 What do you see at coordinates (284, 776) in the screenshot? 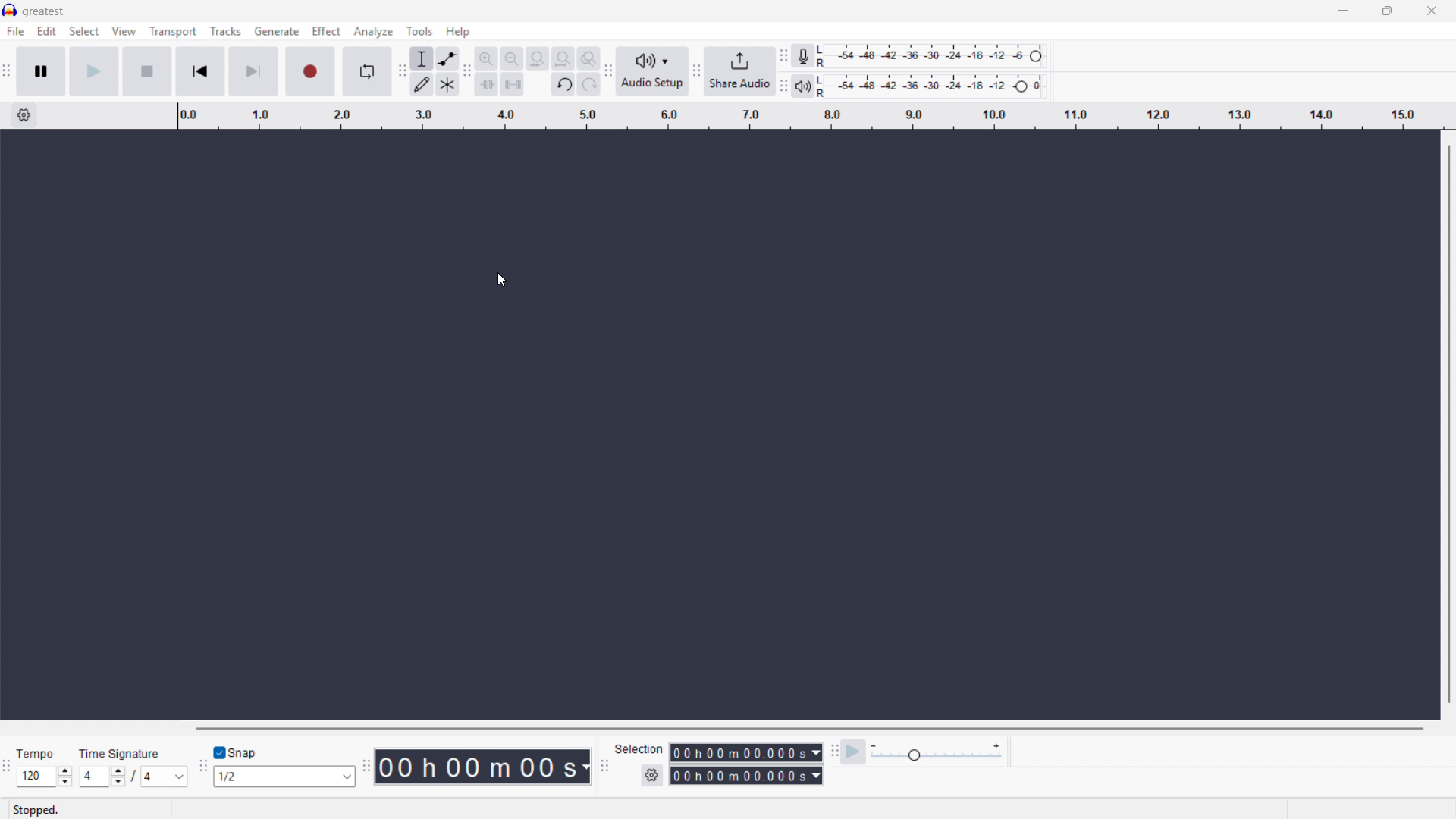
I see `Select snapping ` at bounding box center [284, 776].